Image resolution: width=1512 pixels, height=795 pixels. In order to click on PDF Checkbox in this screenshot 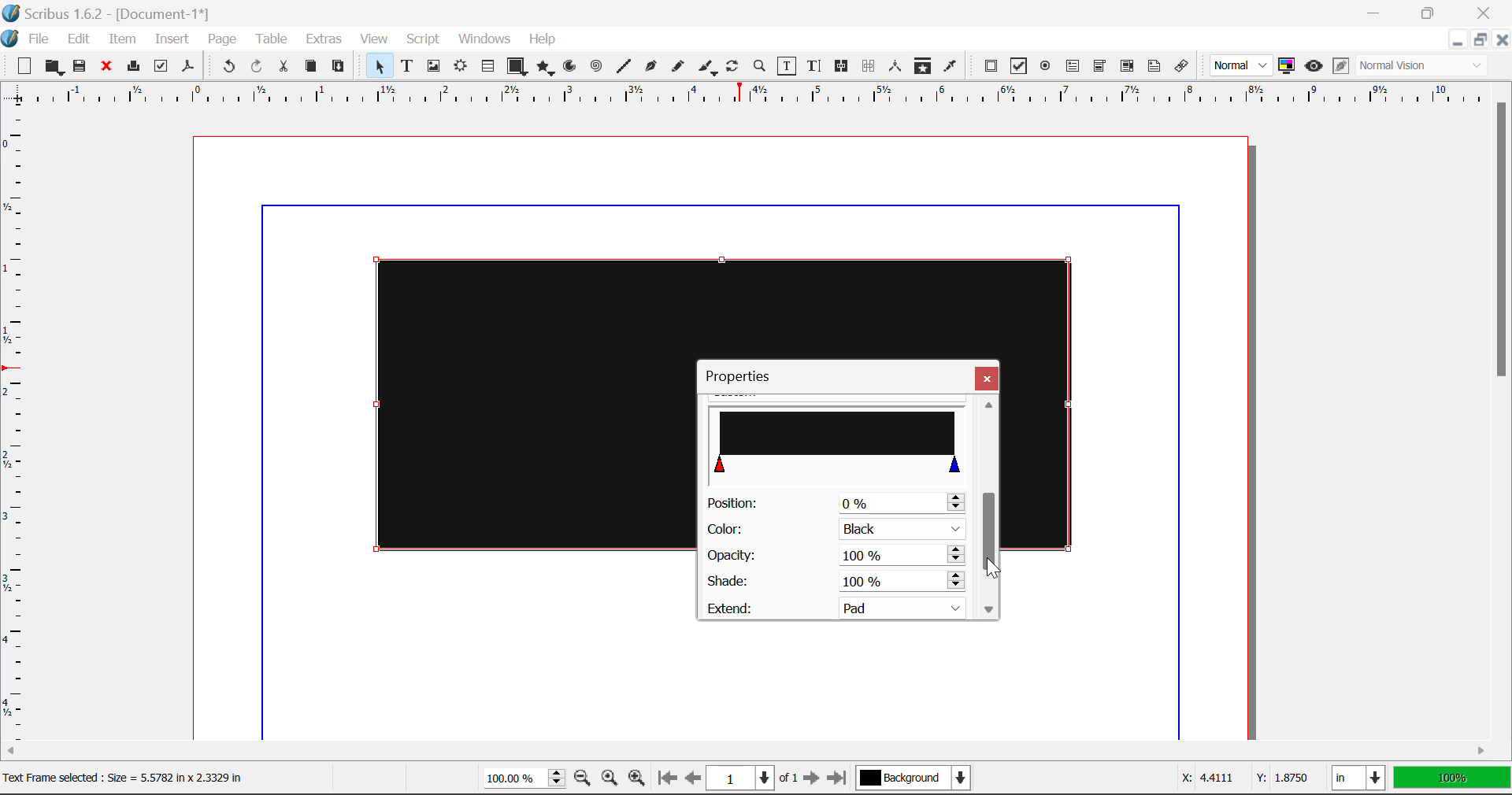, I will do `click(1017, 66)`.